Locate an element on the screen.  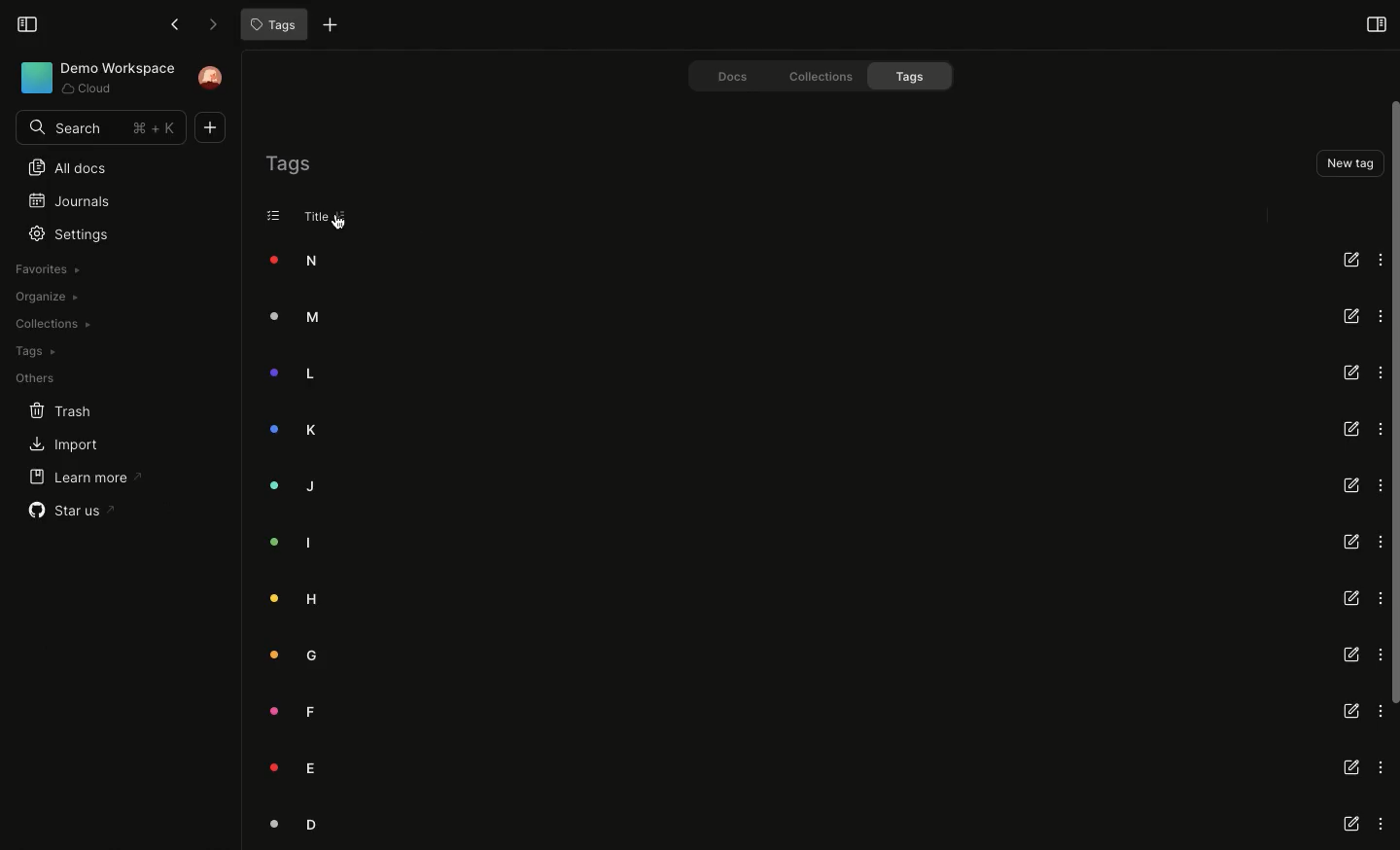
Tags is located at coordinates (271, 25).